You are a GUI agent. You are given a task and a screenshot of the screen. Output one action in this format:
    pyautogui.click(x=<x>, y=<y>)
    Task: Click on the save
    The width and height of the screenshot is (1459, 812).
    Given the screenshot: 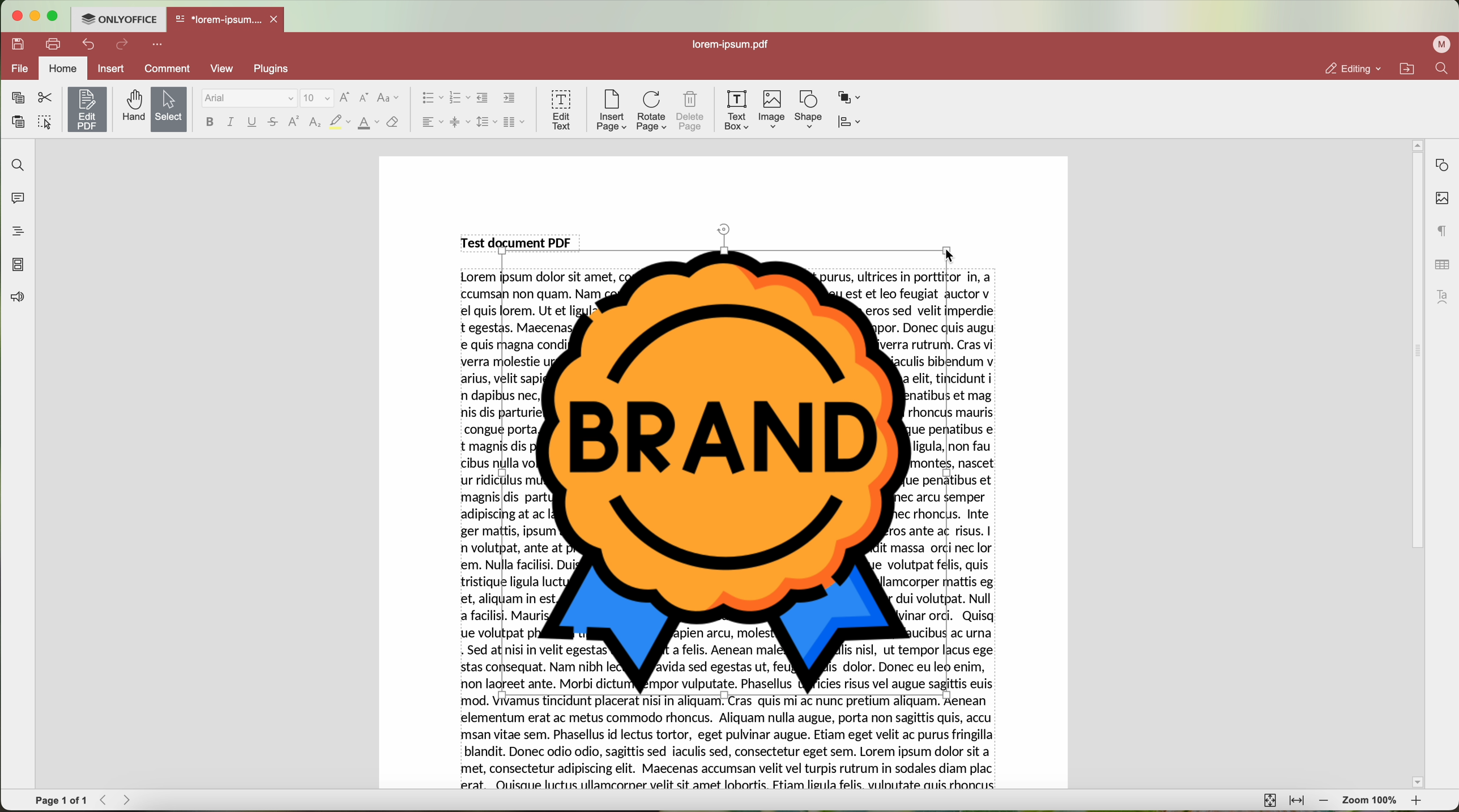 What is the action you would take?
    pyautogui.click(x=15, y=43)
    